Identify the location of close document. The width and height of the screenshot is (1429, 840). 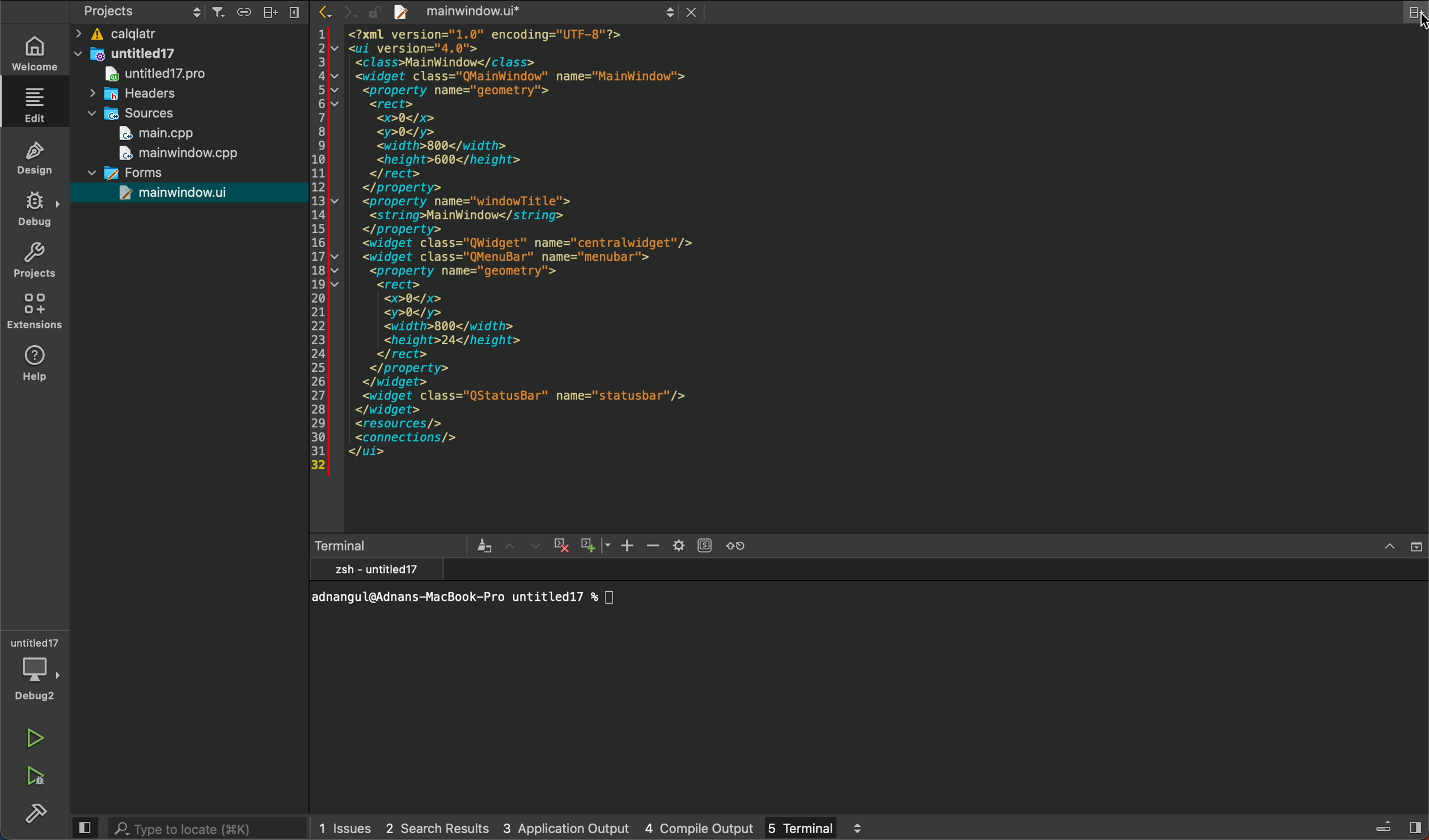
(697, 11).